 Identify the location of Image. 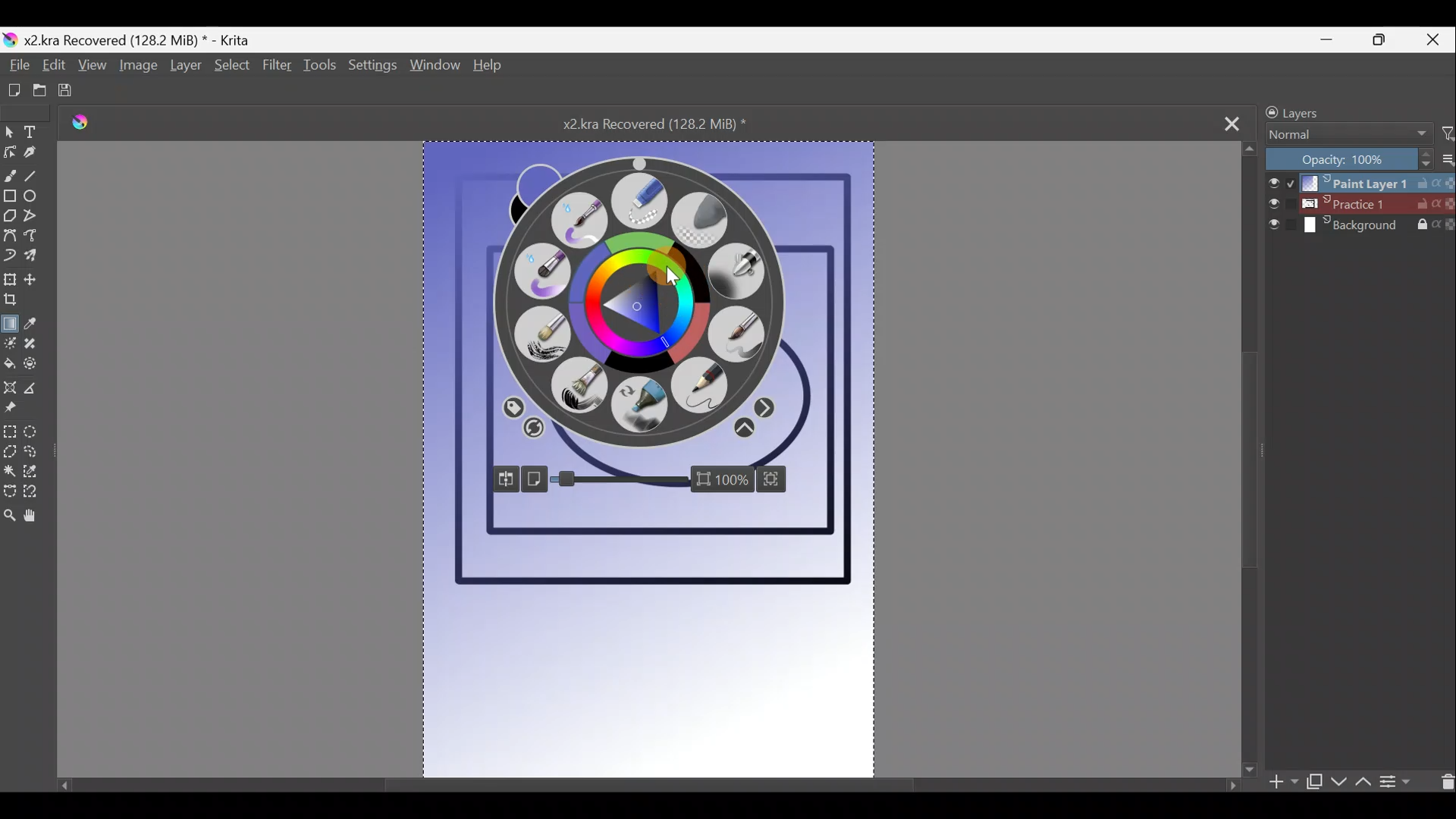
(136, 68).